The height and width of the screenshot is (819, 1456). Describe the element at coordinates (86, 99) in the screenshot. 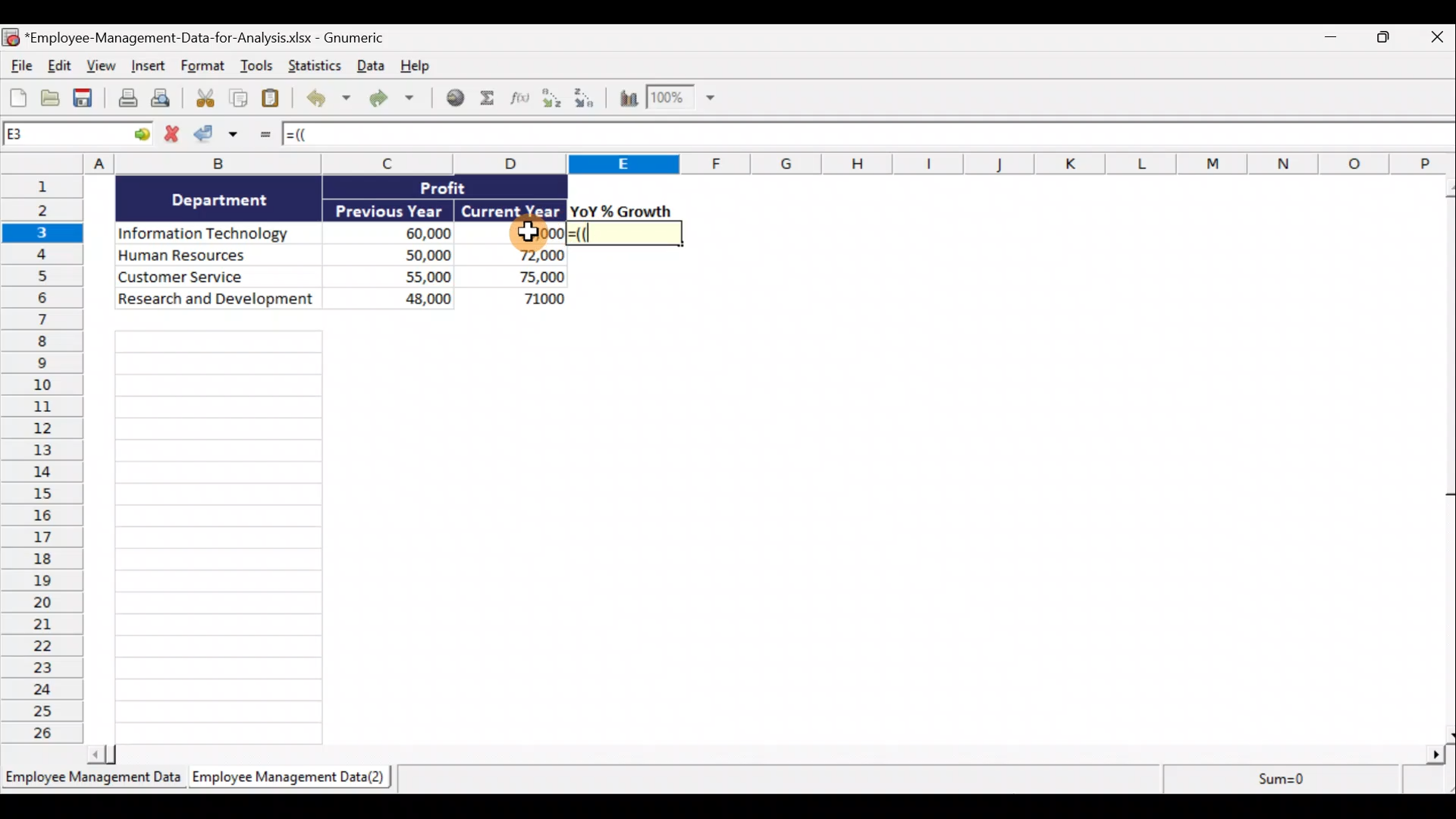

I see `Save the current workbook` at that location.